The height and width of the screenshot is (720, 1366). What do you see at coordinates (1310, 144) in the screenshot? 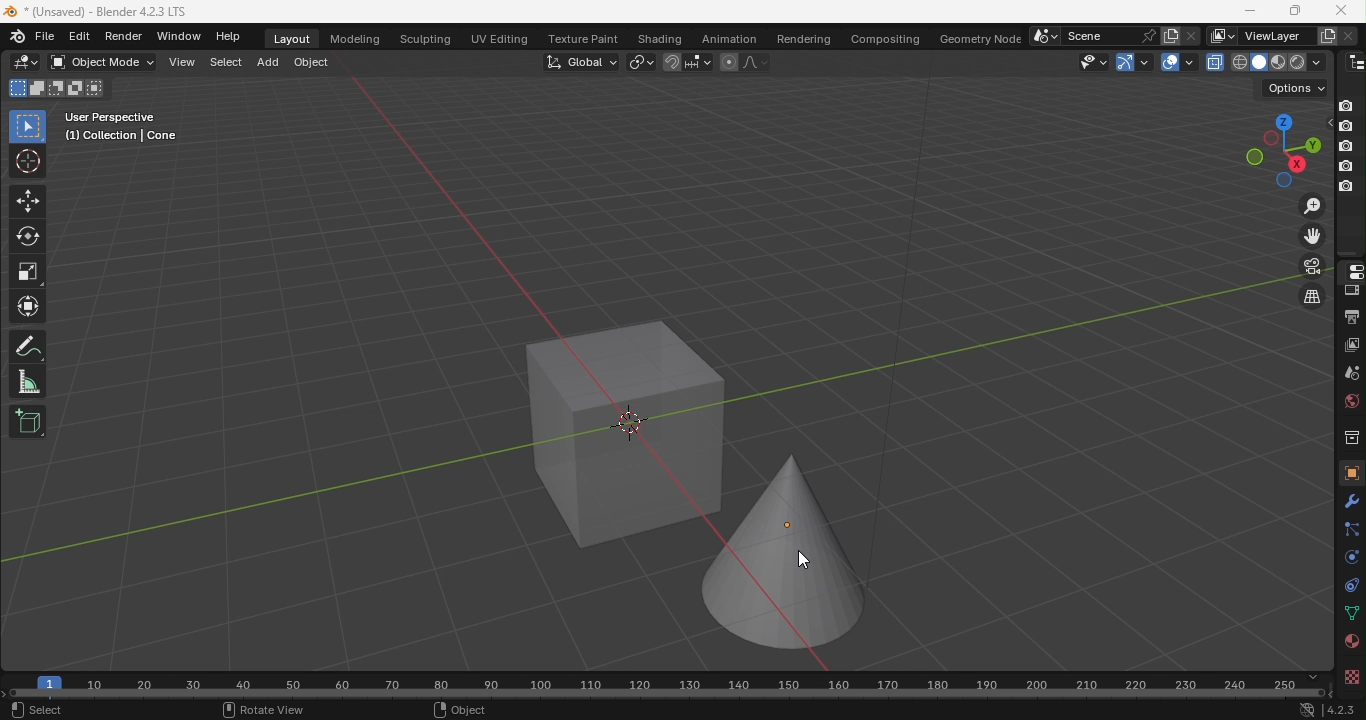
I see `Rotate the view` at bounding box center [1310, 144].